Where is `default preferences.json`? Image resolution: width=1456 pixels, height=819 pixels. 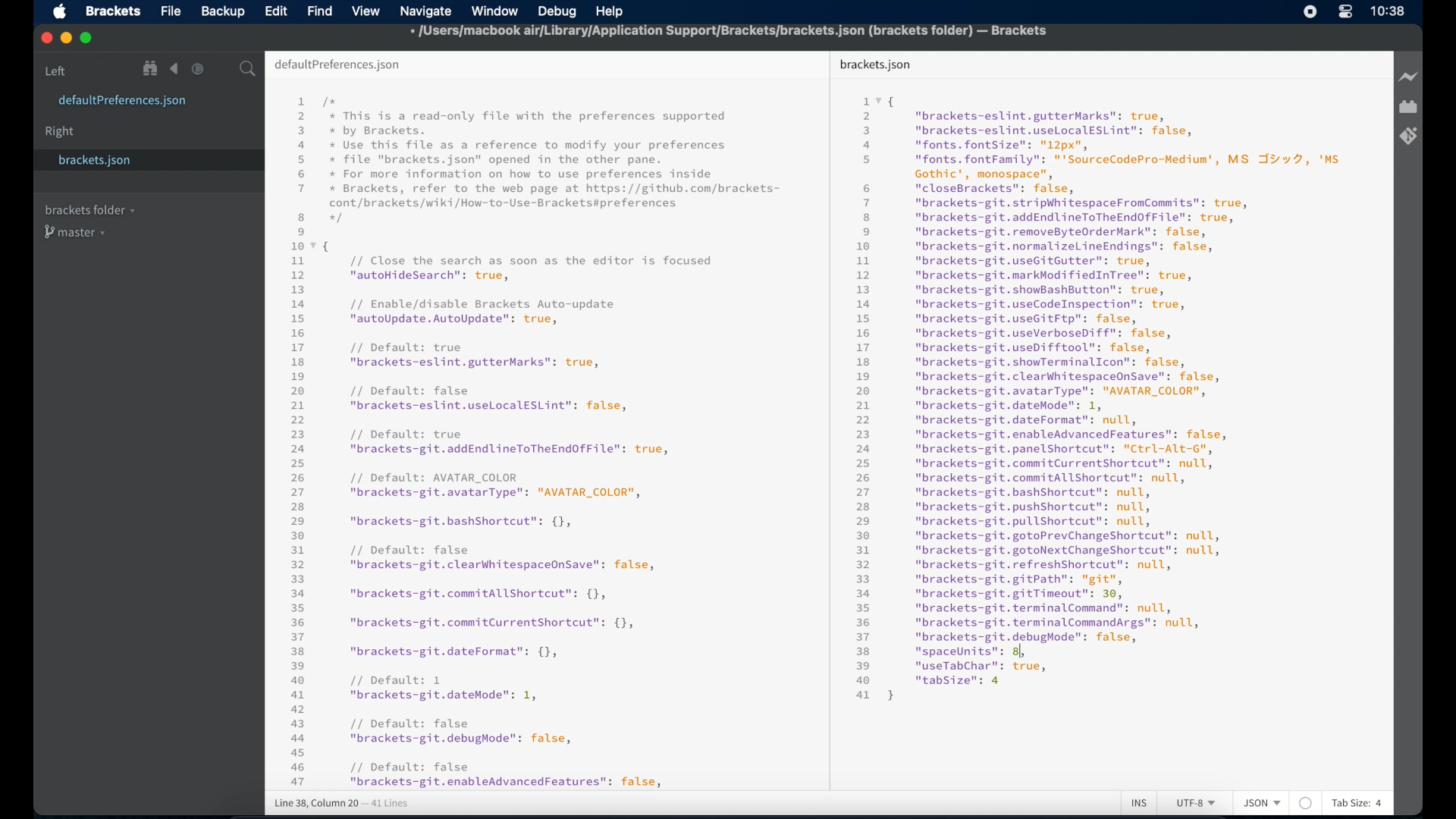
default preferences.json is located at coordinates (337, 65).